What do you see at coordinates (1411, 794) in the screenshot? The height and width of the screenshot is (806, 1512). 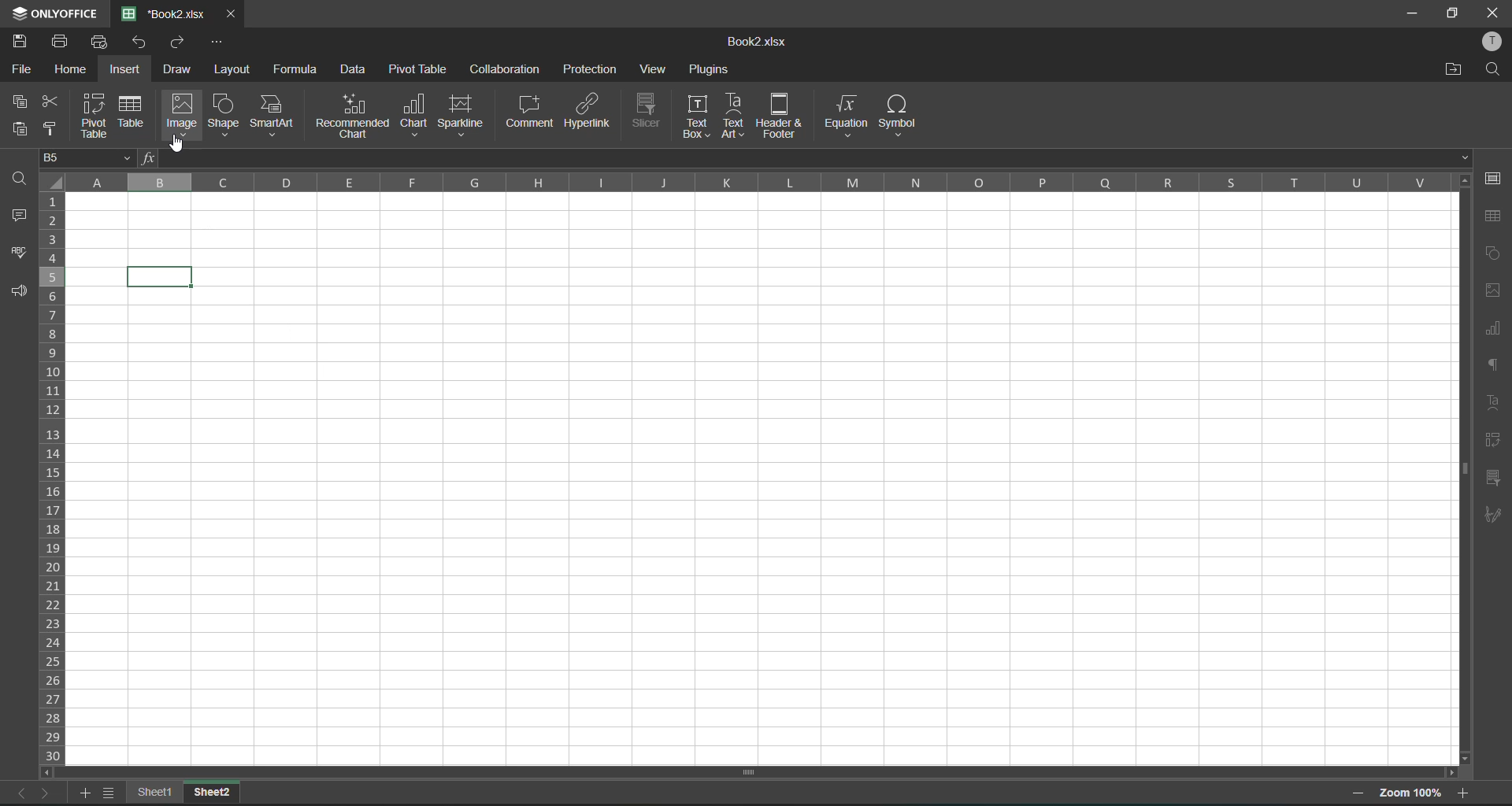 I see `zoom 100%` at bounding box center [1411, 794].